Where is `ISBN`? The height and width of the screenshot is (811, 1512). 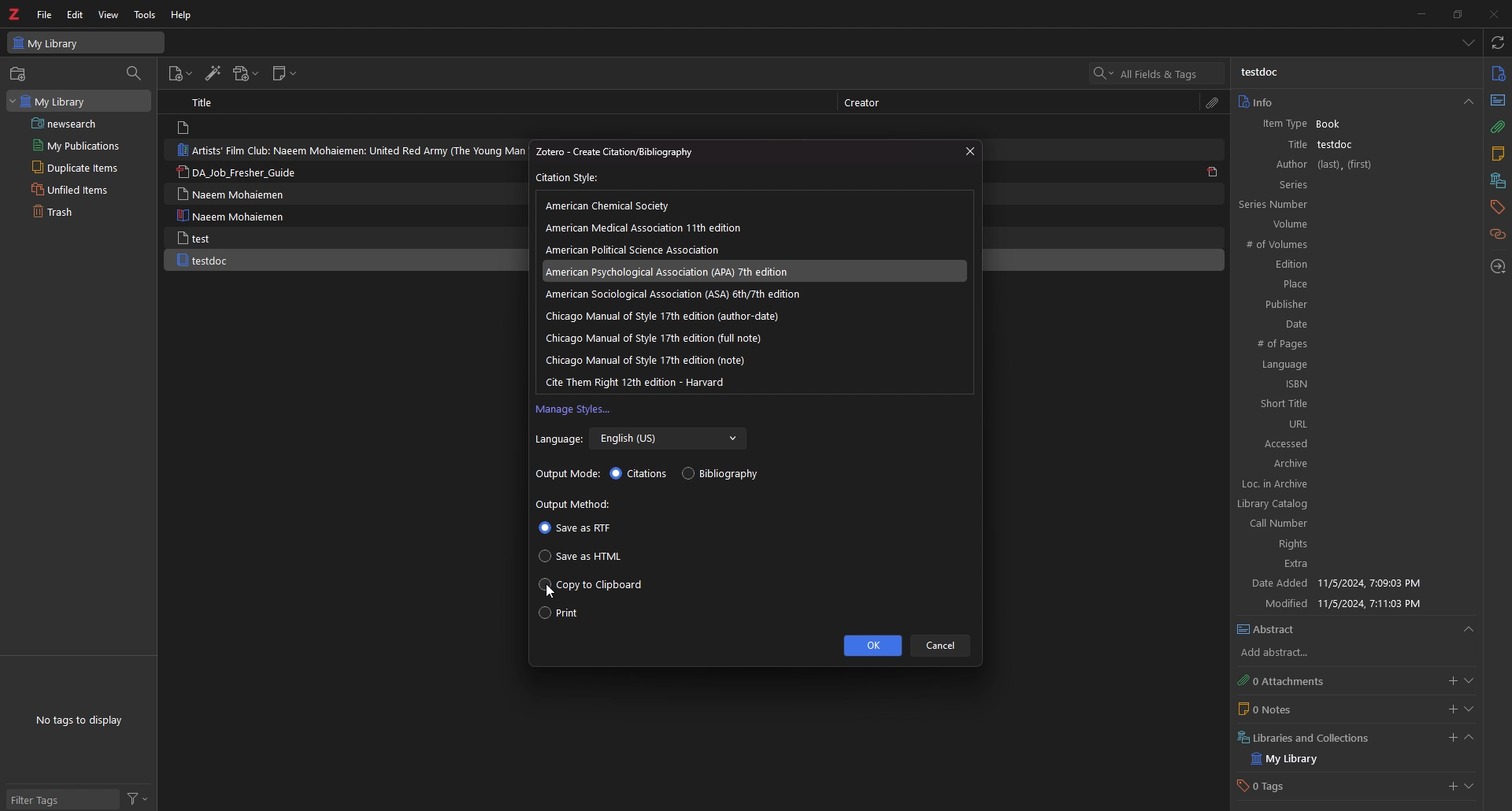
ISBN is located at coordinates (1351, 384).